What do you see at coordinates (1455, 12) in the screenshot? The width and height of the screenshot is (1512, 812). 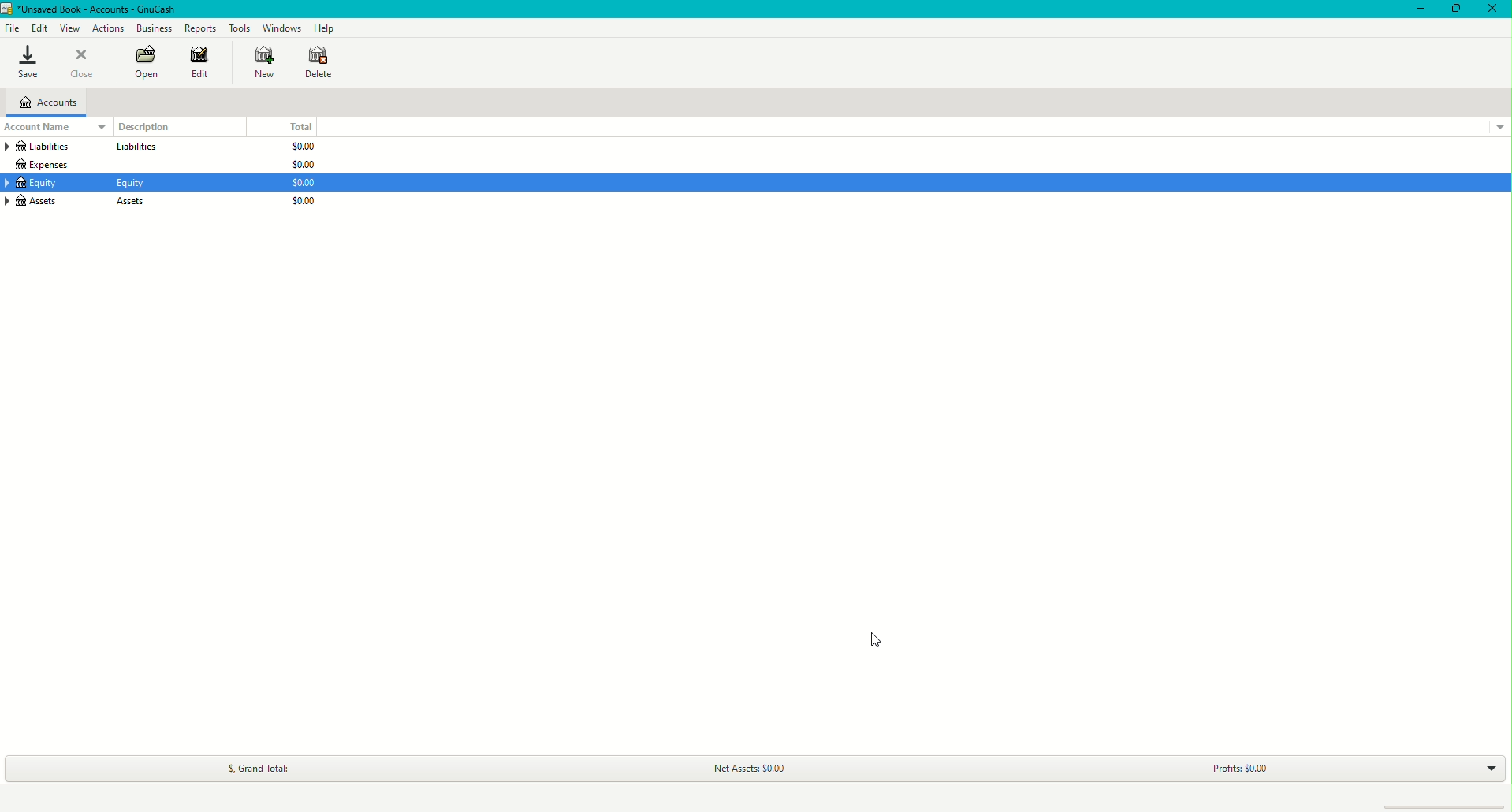 I see `Restore` at bounding box center [1455, 12].